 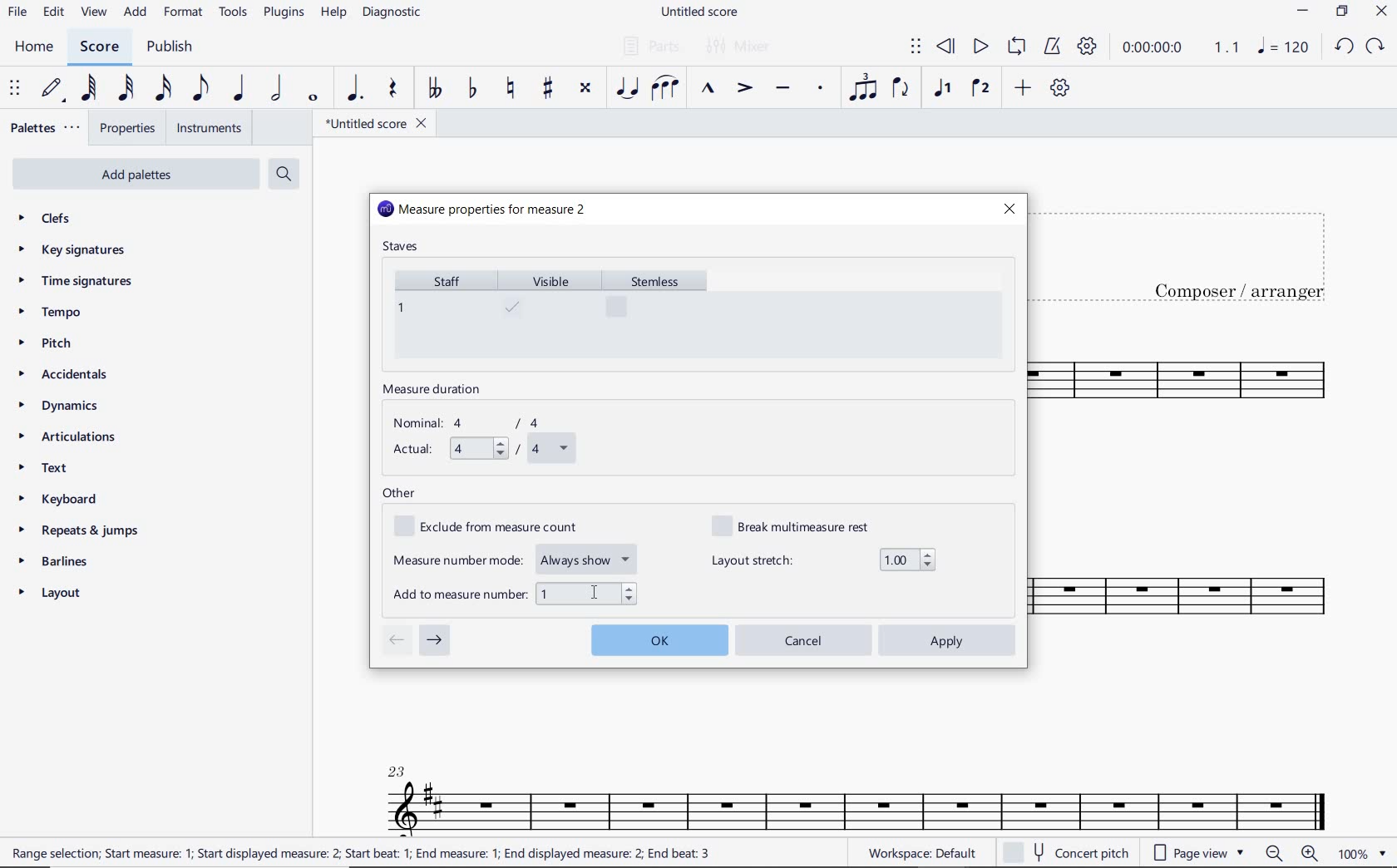 I want to click on DYNAMICS, so click(x=67, y=407).